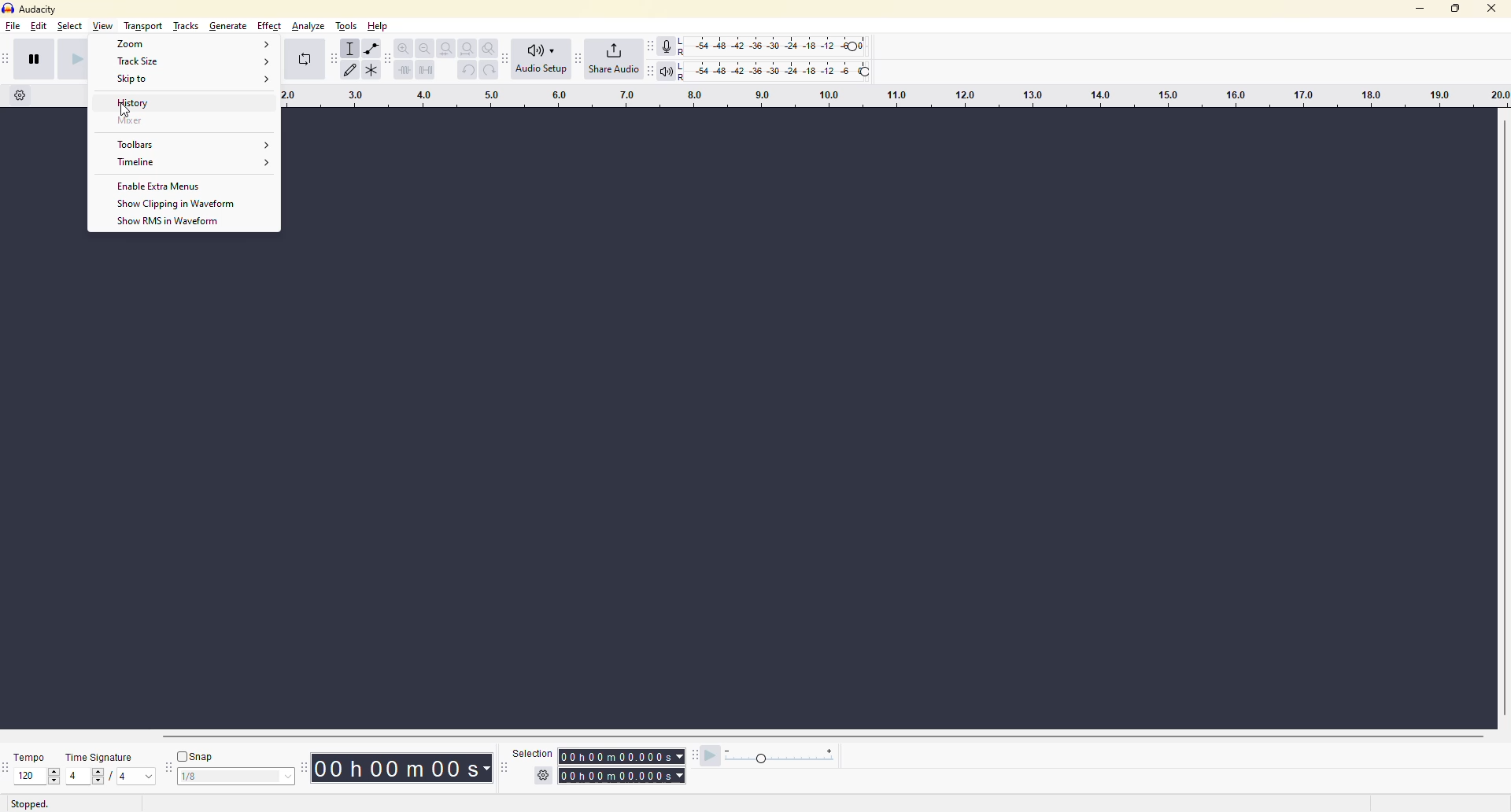 The image size is (1511, 812). I want to click on show clipping in waveform, so click(183, 204).